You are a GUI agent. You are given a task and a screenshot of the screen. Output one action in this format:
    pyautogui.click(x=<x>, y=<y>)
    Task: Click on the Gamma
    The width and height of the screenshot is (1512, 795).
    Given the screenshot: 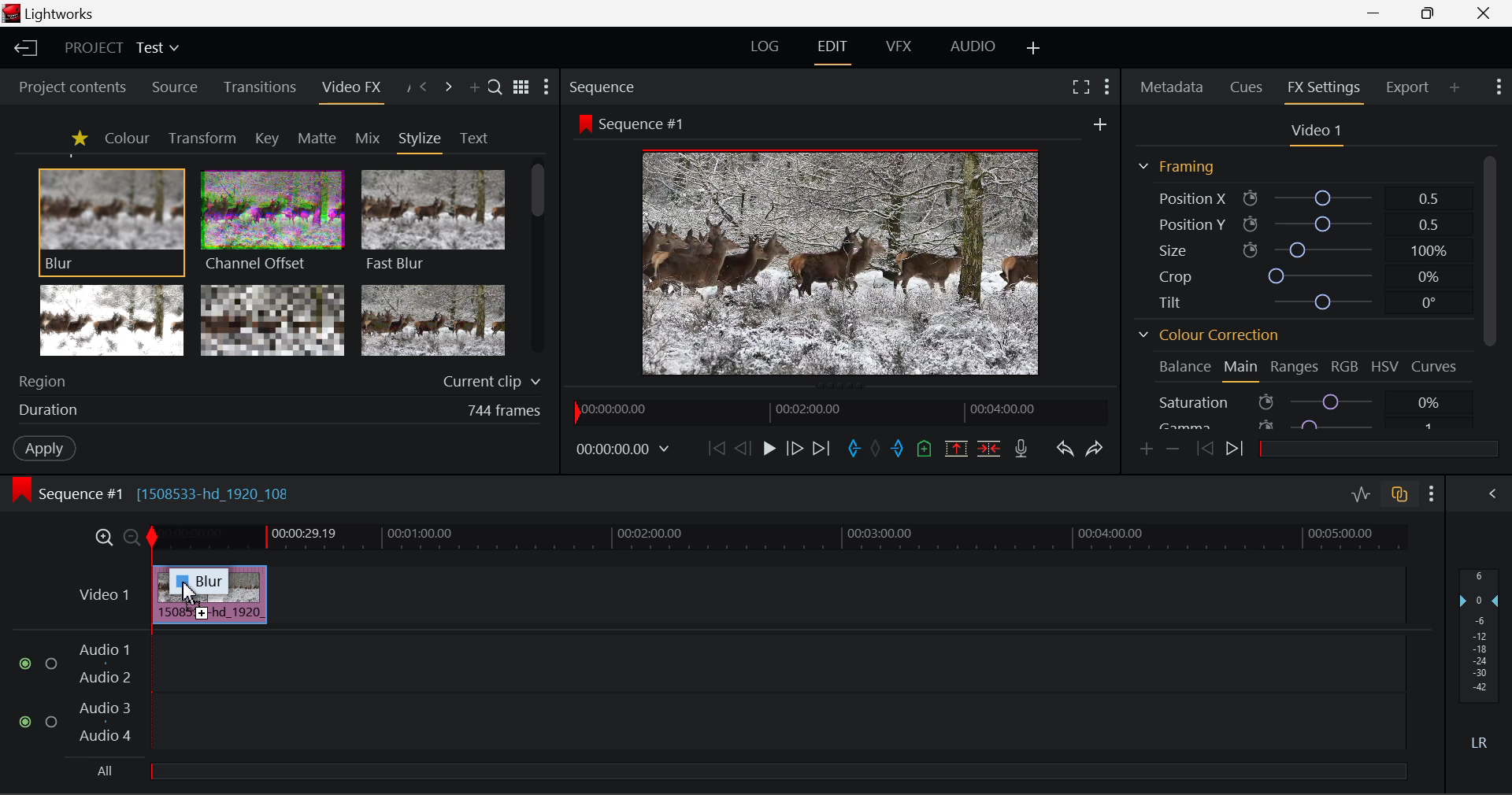 What is the action you would take?
    pyautogui.click(x=1309, y=423)
    